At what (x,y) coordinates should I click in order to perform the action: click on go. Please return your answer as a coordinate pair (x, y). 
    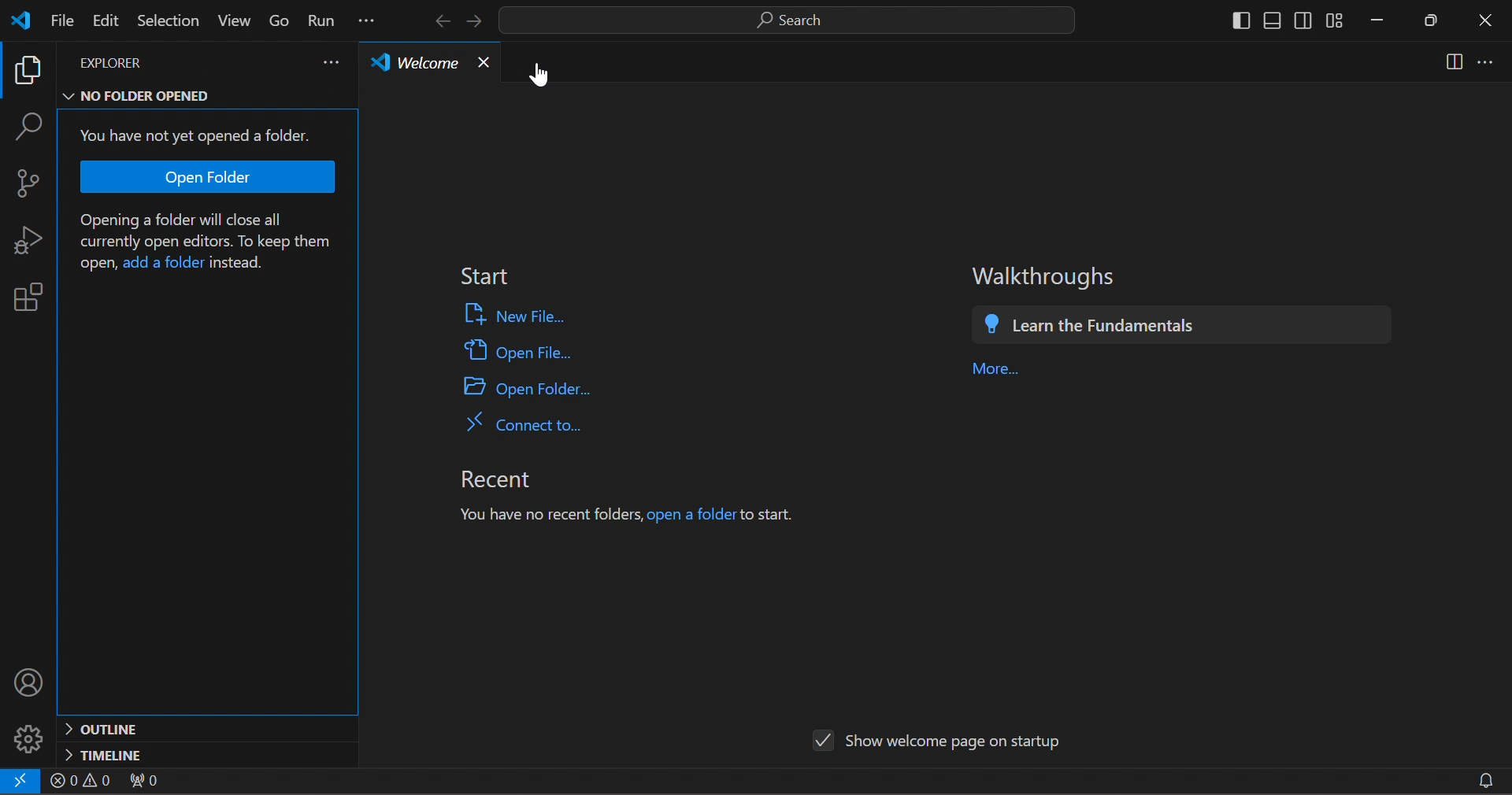
    Looking at the image, I should click on (280, 17).